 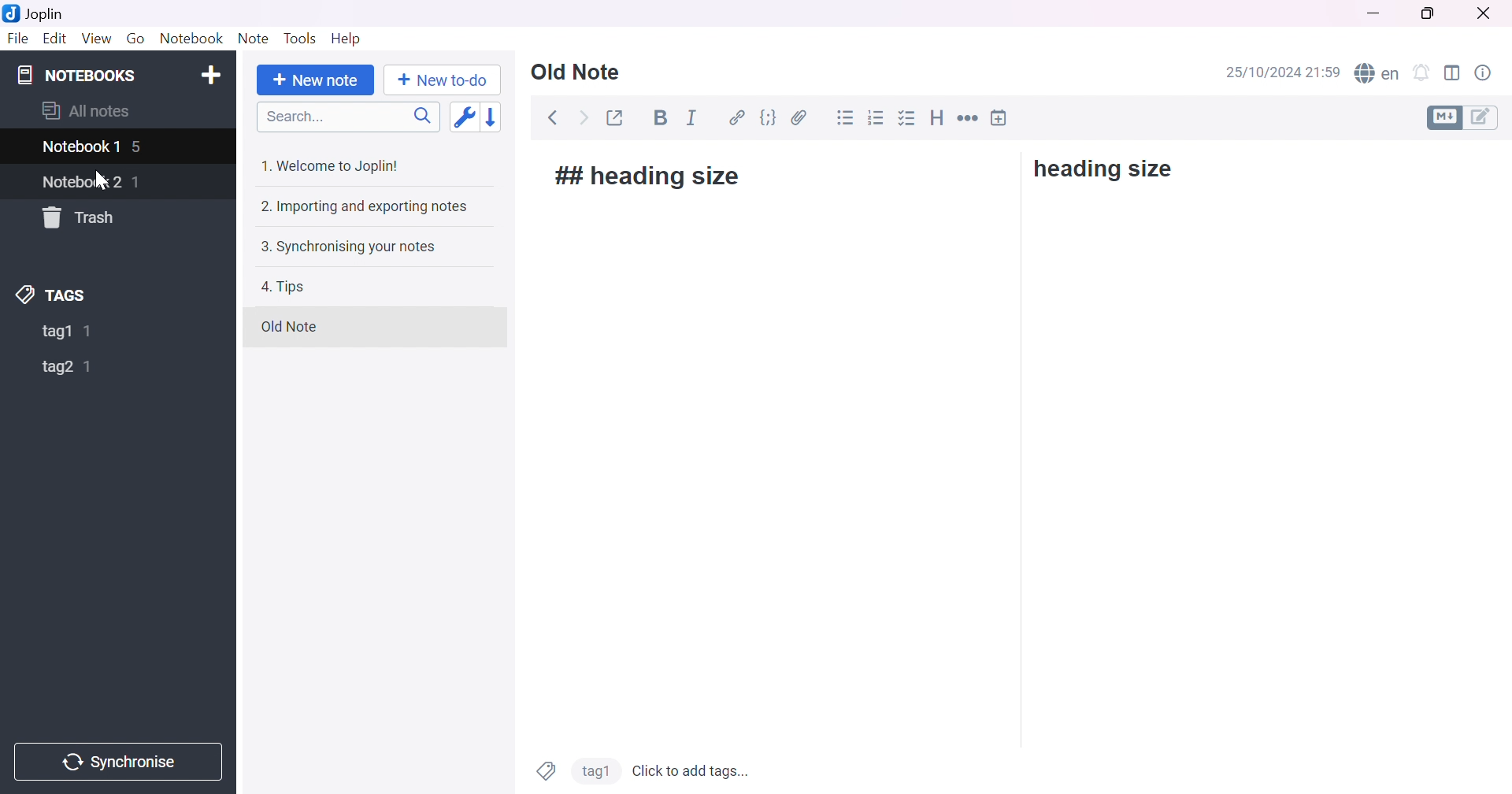 What do you see at coordinates (140, 182) in the screenshot?
I see `1` at bounding box center [140, 182].